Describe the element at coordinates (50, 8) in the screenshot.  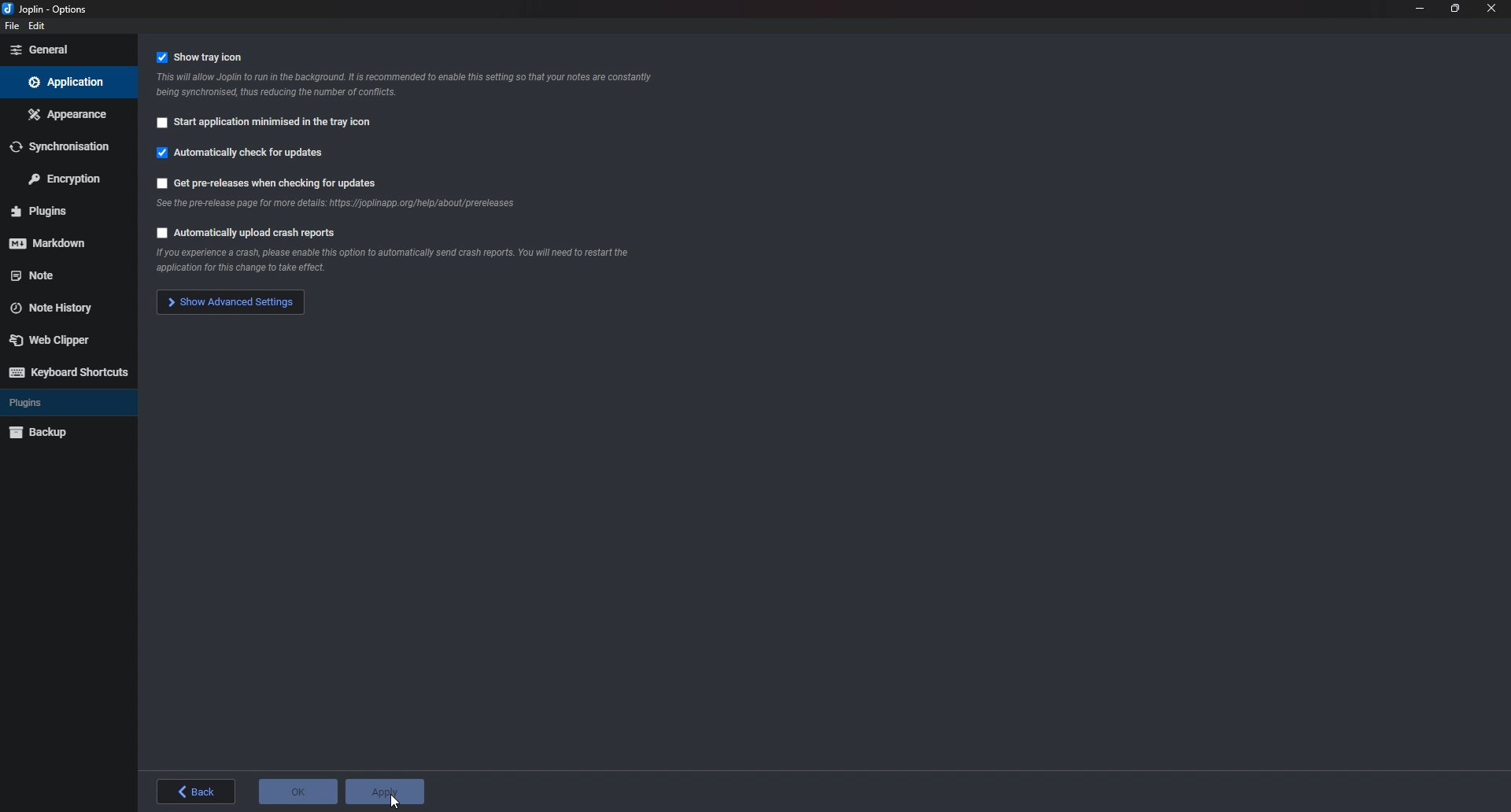
I see `joplin` at that location.